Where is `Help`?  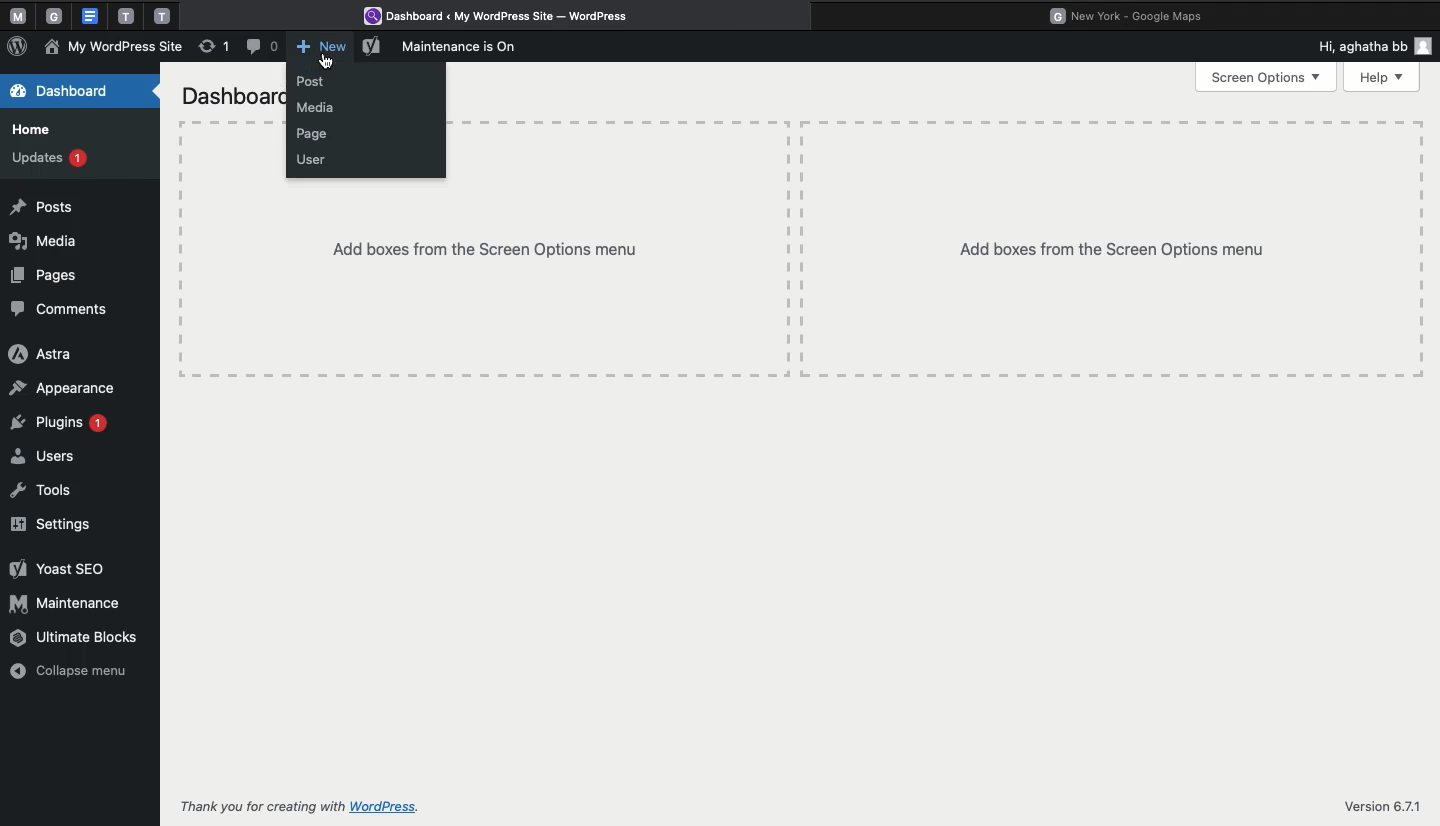 Help is located at coordinates (1383, 77).